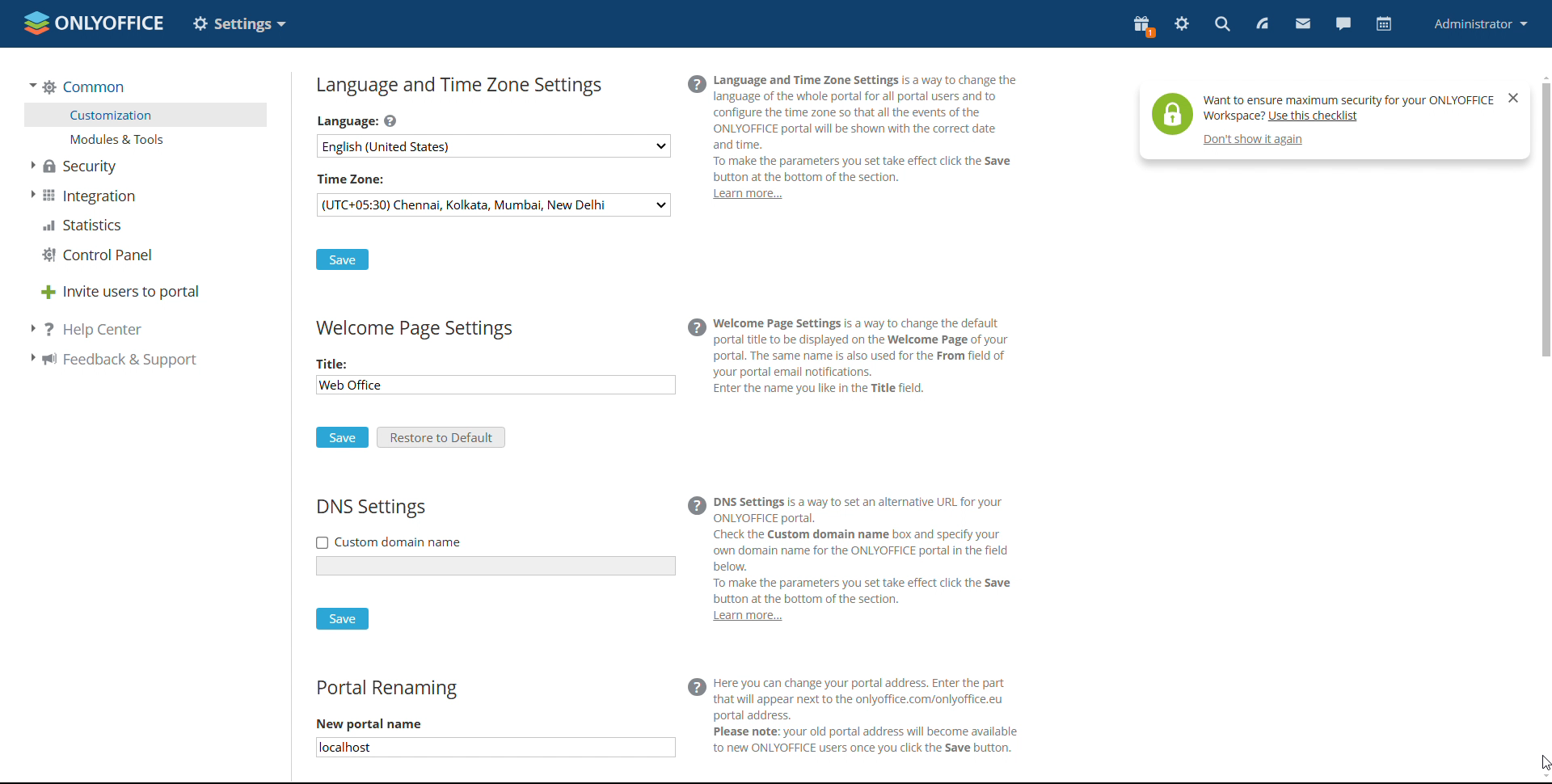 The image size is (1552, 784). What do you see at coordinates (390, 387) in the screenshot?
I see `edit title` at bounding box center [390, 387].